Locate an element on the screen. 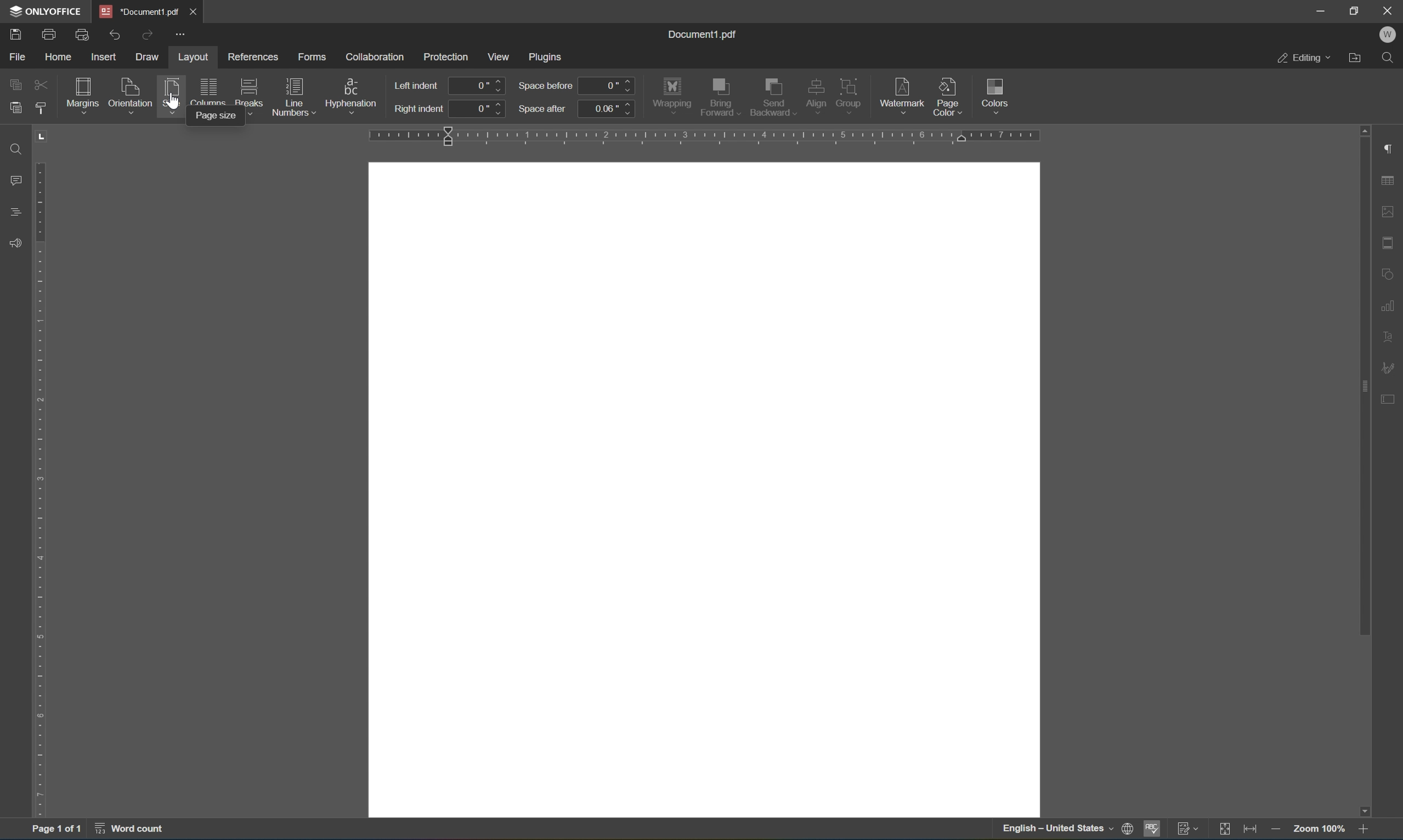 This screenshot has height=840, width=1403. zoom out is located at coordinates (1275, 830).